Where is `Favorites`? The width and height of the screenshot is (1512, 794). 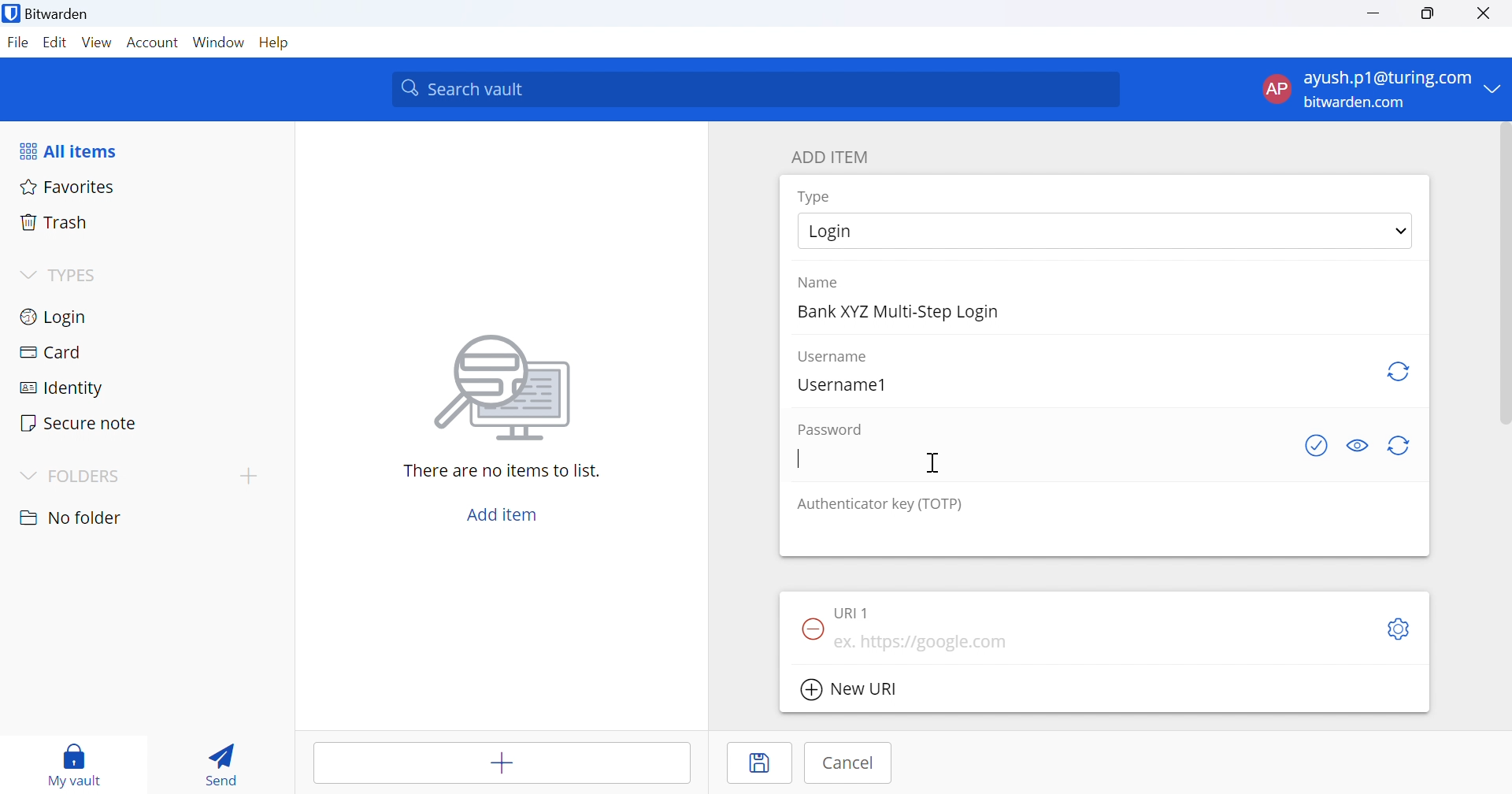
Favorites is located at coordinates (68, 186).